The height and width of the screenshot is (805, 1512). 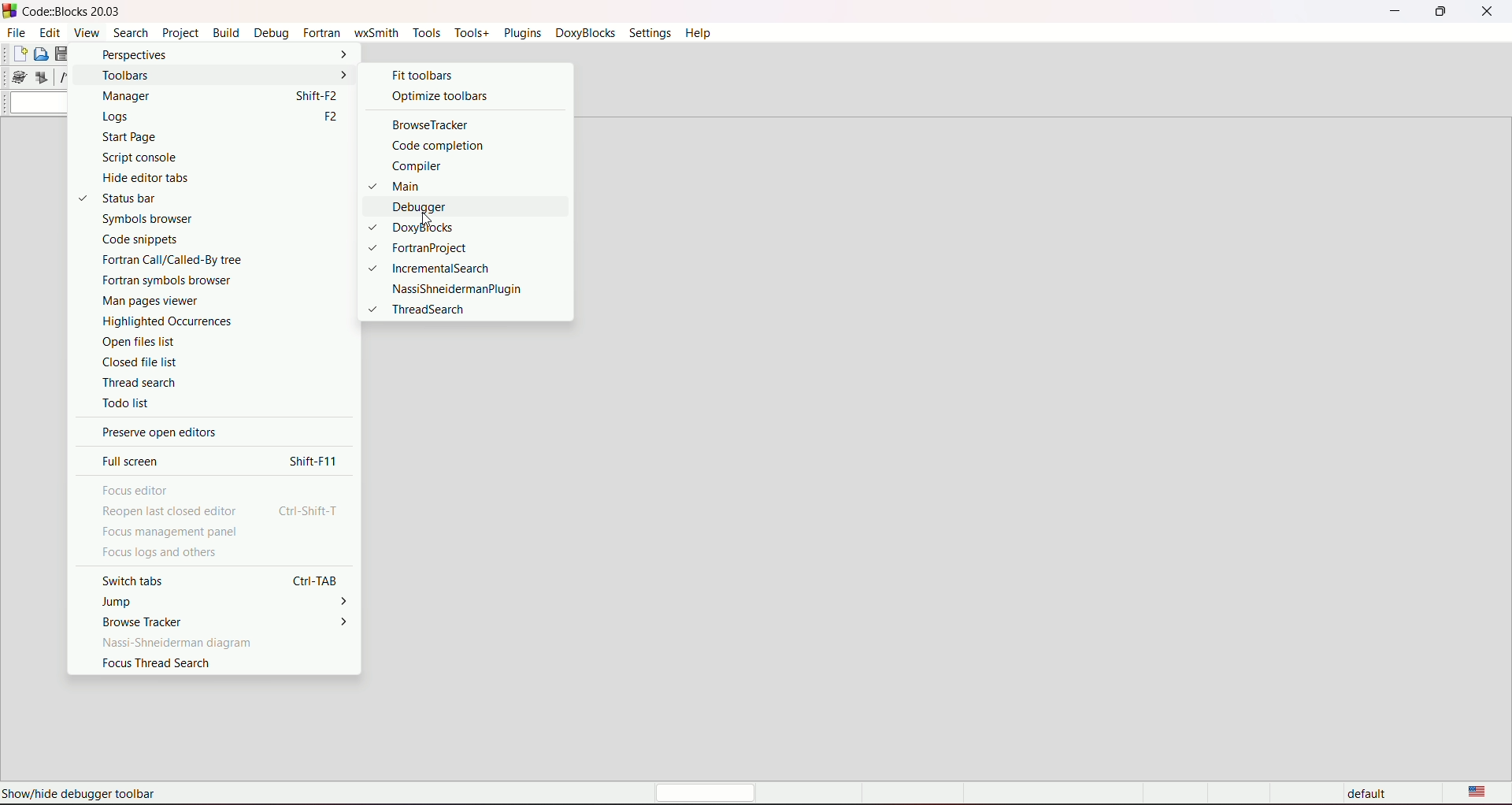 I want to click on browse tracker, so click(x=428, y=126).